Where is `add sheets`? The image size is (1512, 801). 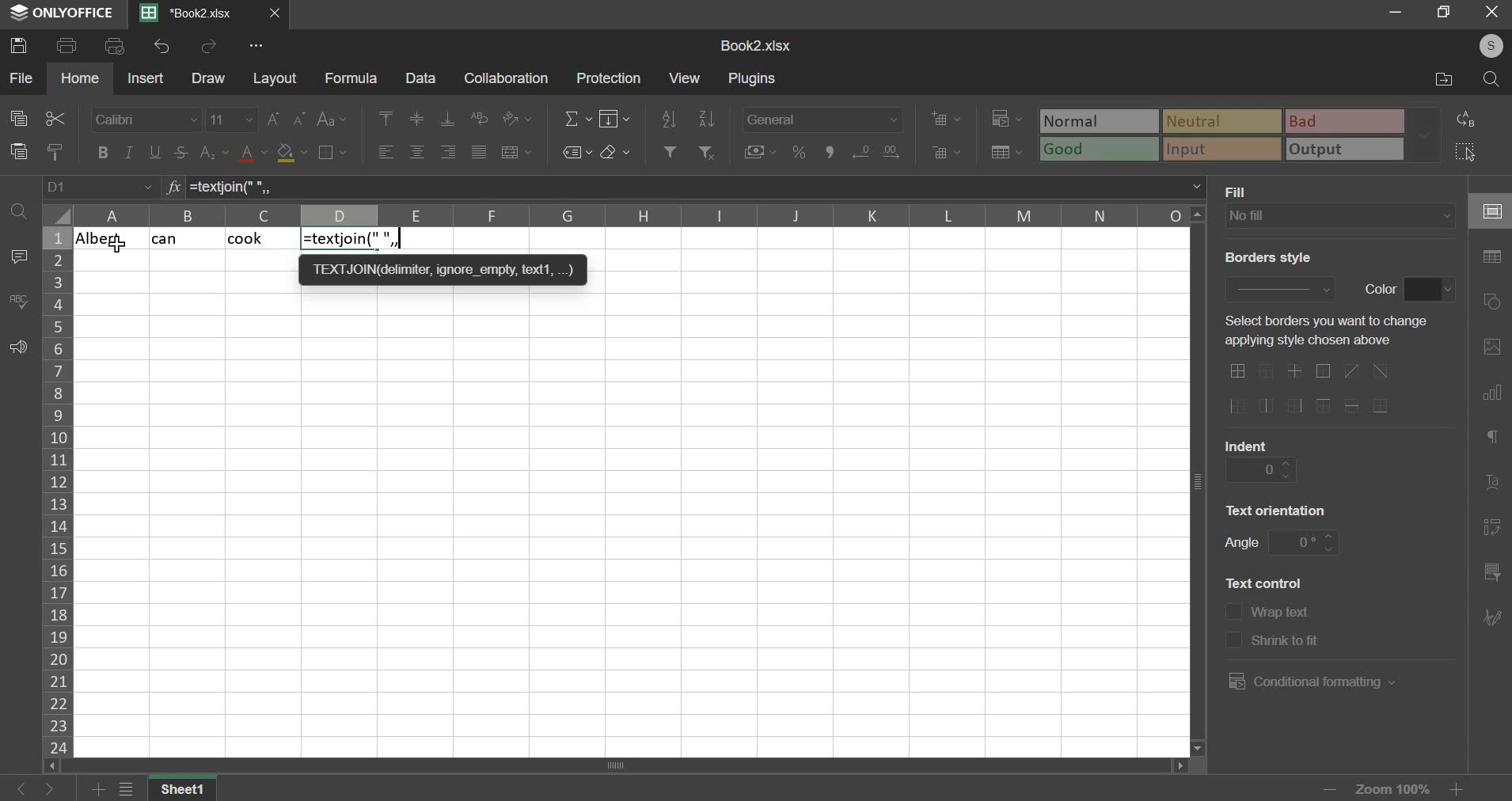 add sheets is located at coordinates (98, 790).